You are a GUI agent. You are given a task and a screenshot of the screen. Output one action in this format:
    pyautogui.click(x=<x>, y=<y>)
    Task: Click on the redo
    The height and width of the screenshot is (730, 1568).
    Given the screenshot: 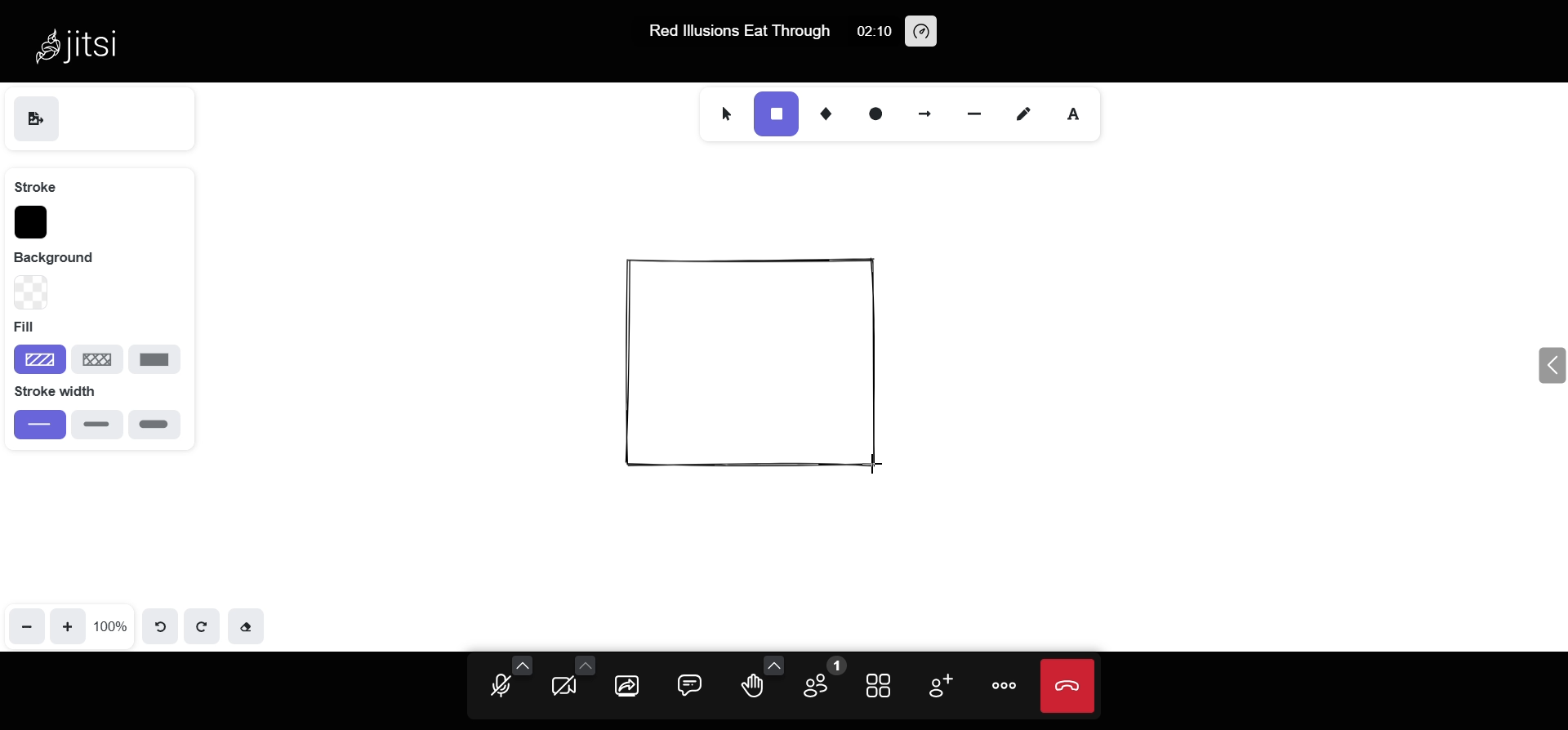 What is the action you would take?
    pyautogui.click(x=203, y=625)
    